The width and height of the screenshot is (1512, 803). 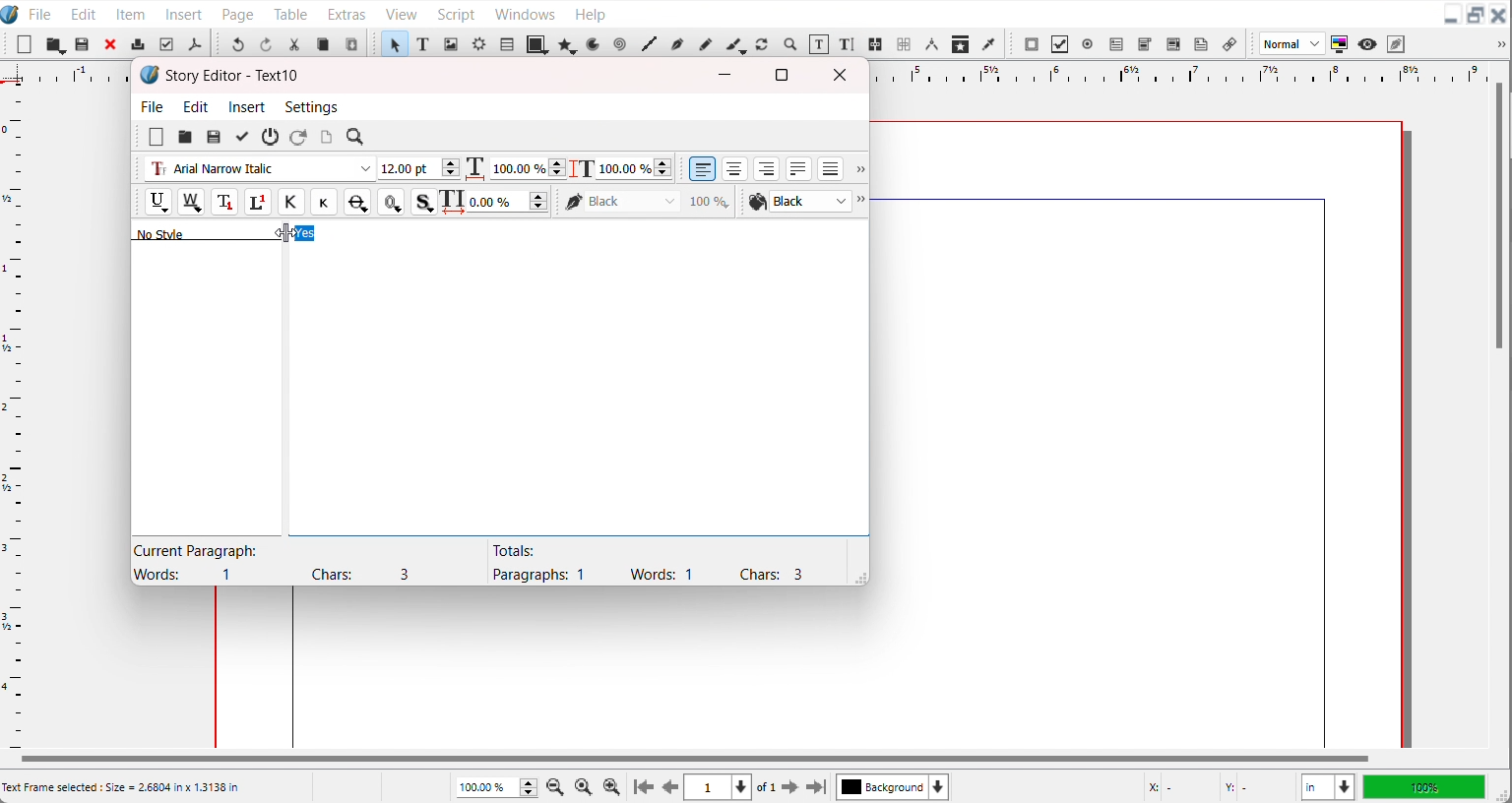 What do you see at coordinates (1499, 217) in the screenshot?
I see `Vertical scroll bar` at bounding box center [1499, 217].